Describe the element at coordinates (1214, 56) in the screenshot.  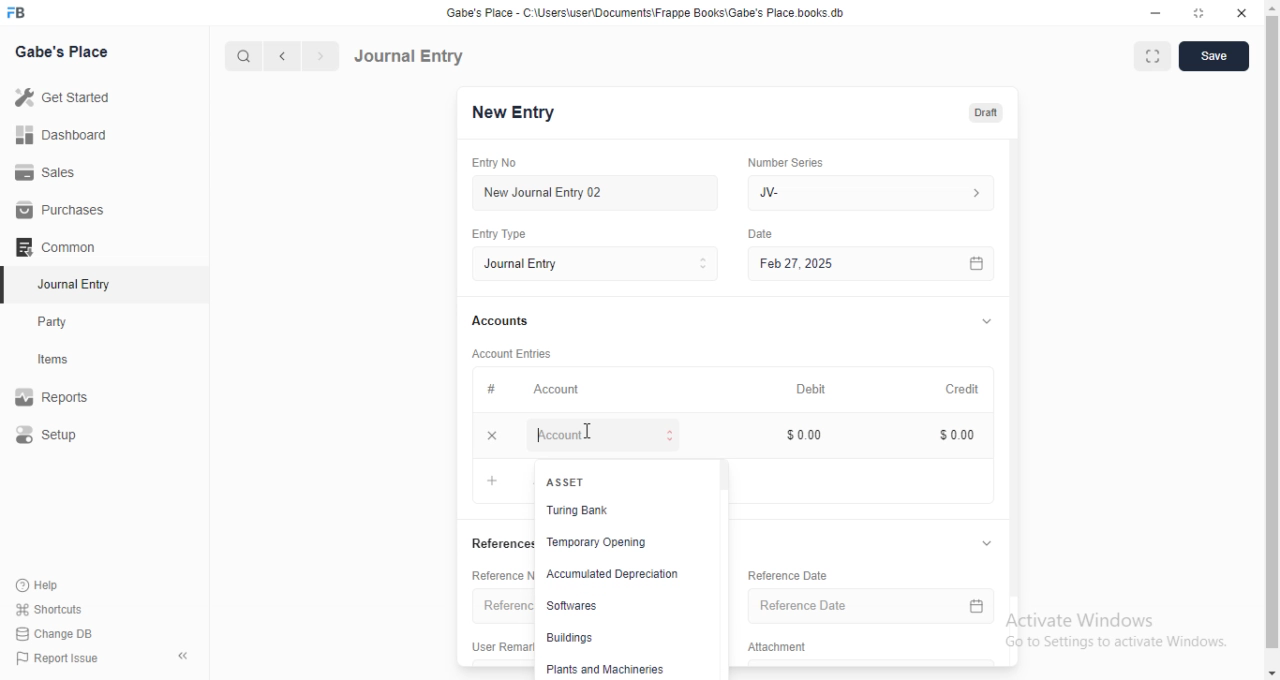
I see `Save` at that location.